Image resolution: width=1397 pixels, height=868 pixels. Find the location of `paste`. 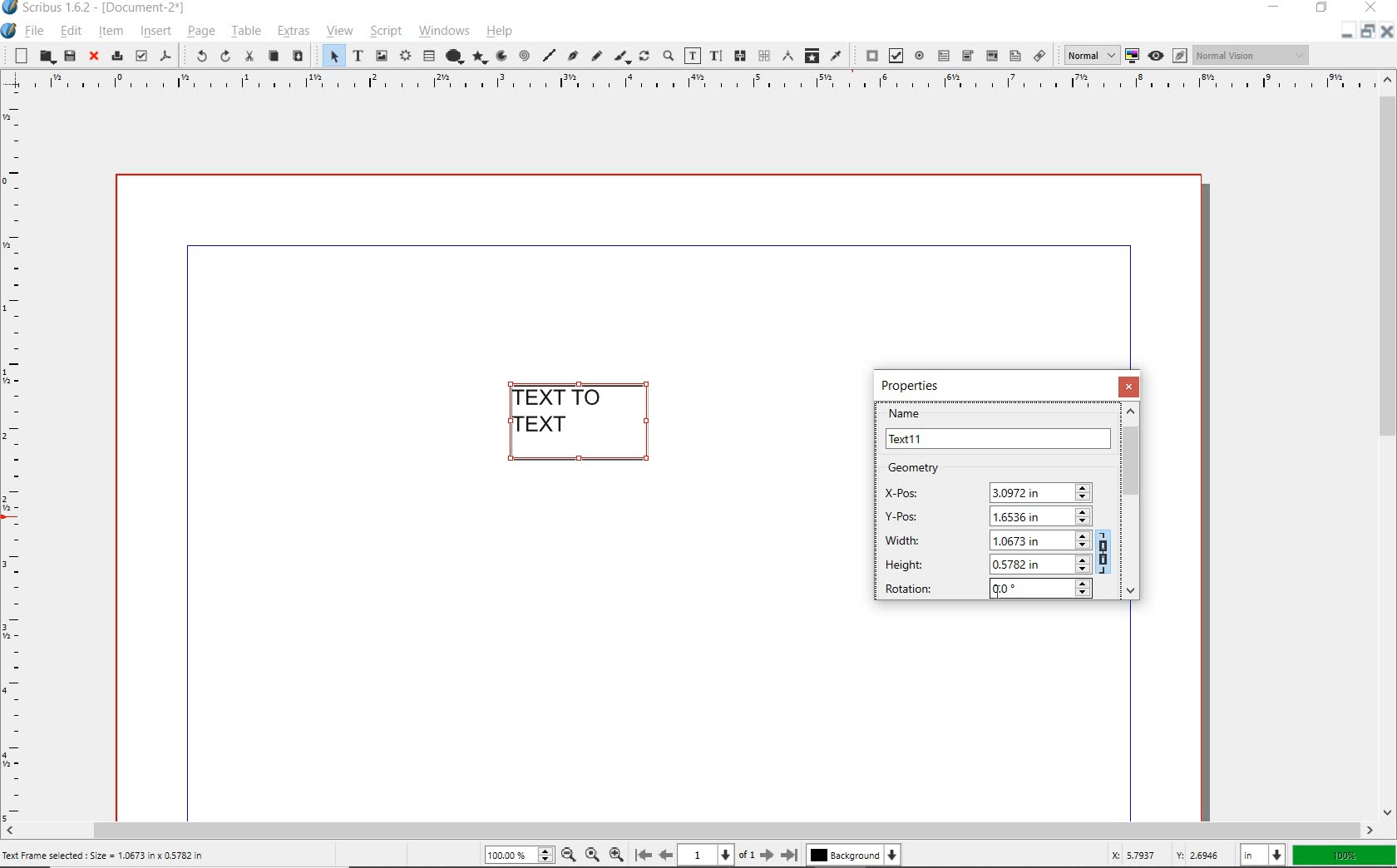

paste is located at coordinates (298, 56).